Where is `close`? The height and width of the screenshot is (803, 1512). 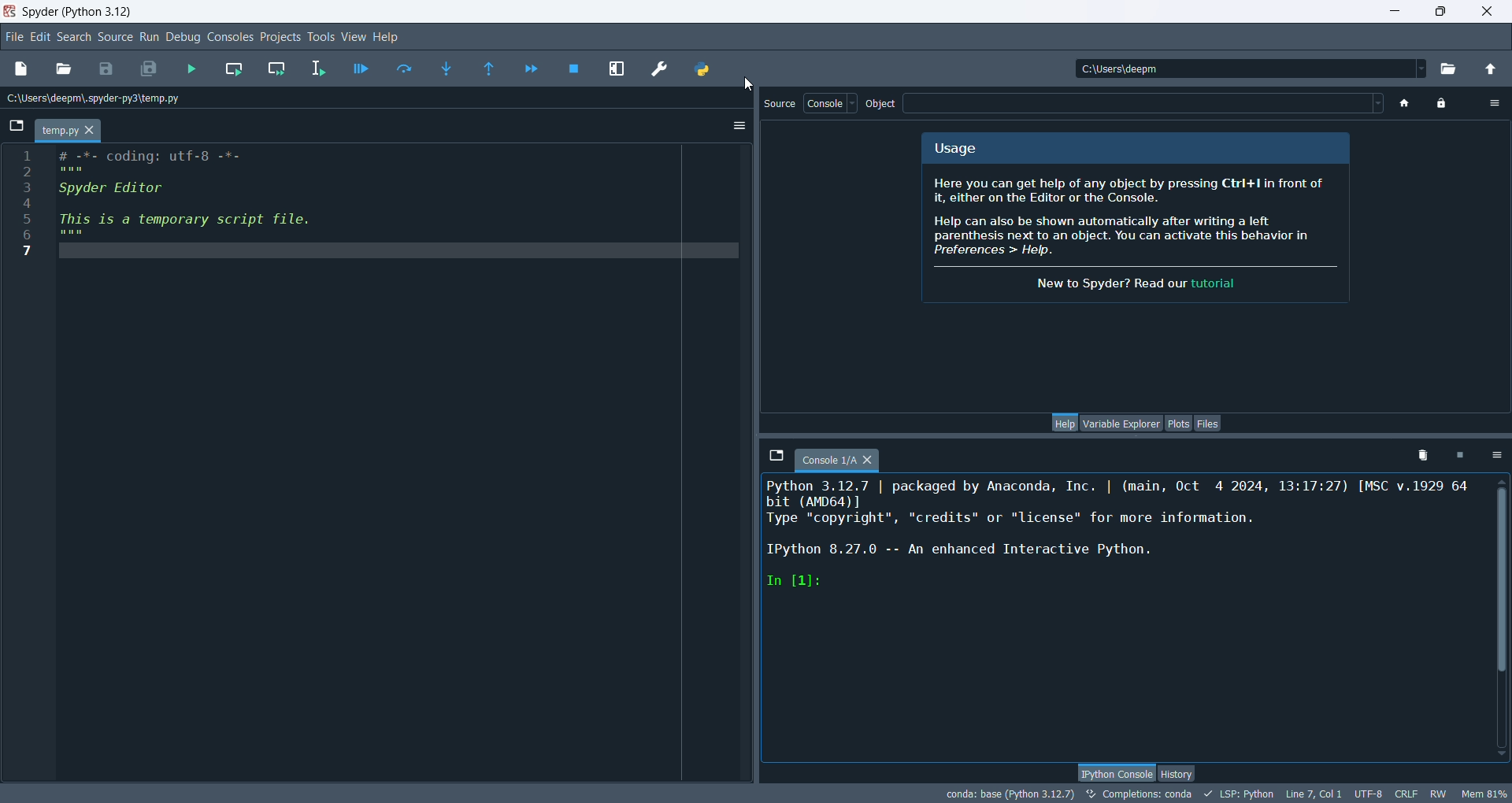
close is located at coordinates (1483, 13).